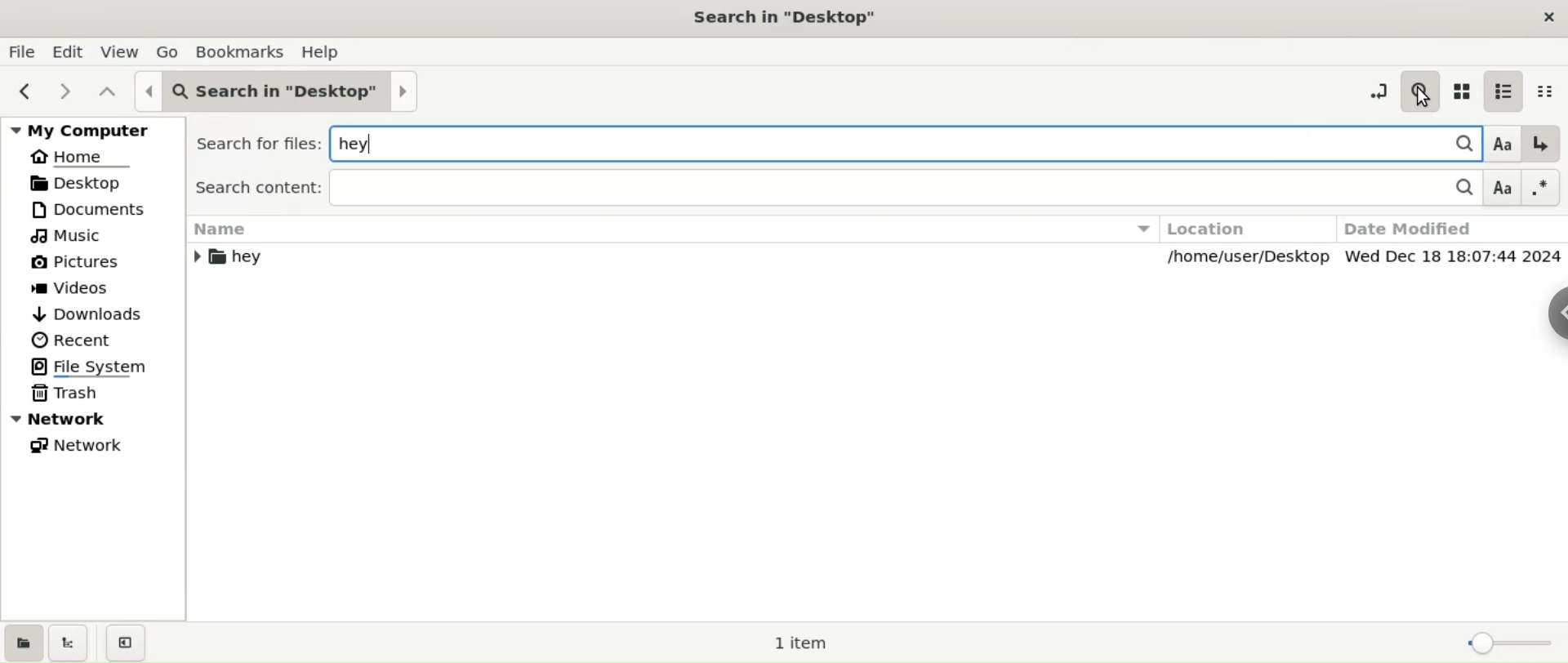 This screenshot has height=663, width=1568. What do you see at coordinates (1549, 318) in the screenshot?
I see `sidebar` at bounding box center [1549, 318].